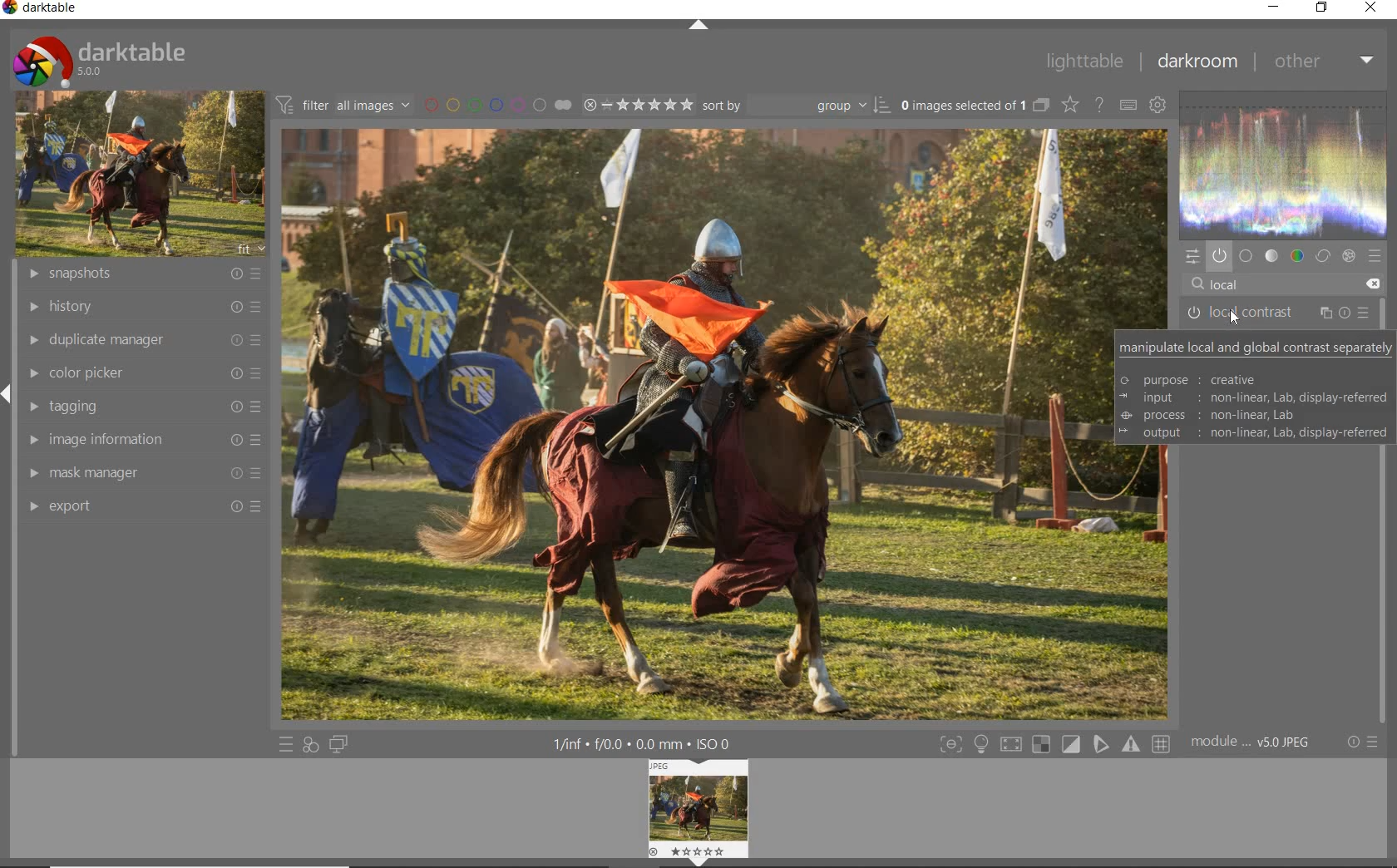 This screenshot has height=868, width=1397. I want to click on LOCAL CONTRAST, so click(1276, 313).